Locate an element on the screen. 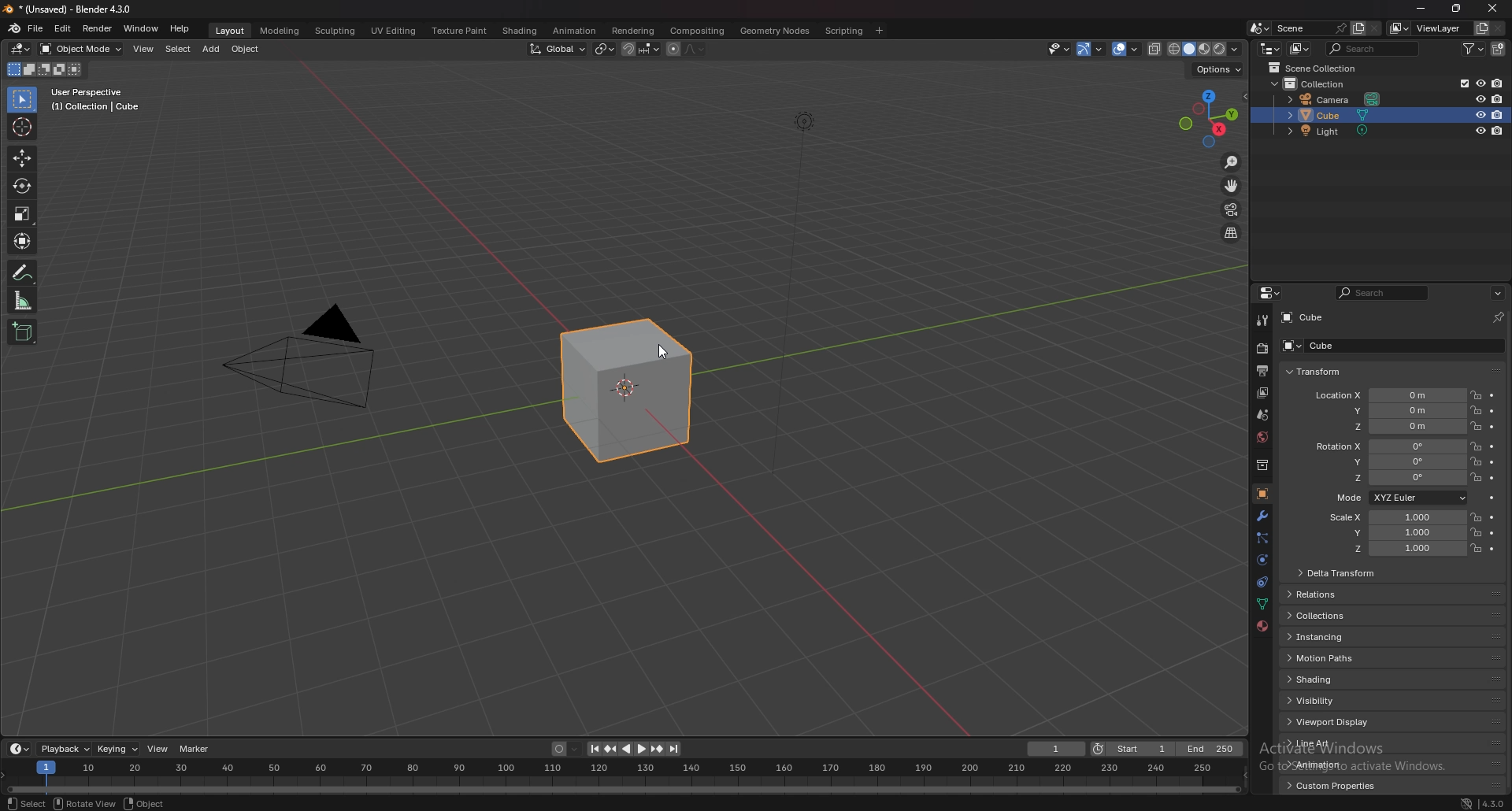 The height and width of the screenshot is (811, 1512). sculpting is located at coordinates (335, 31).